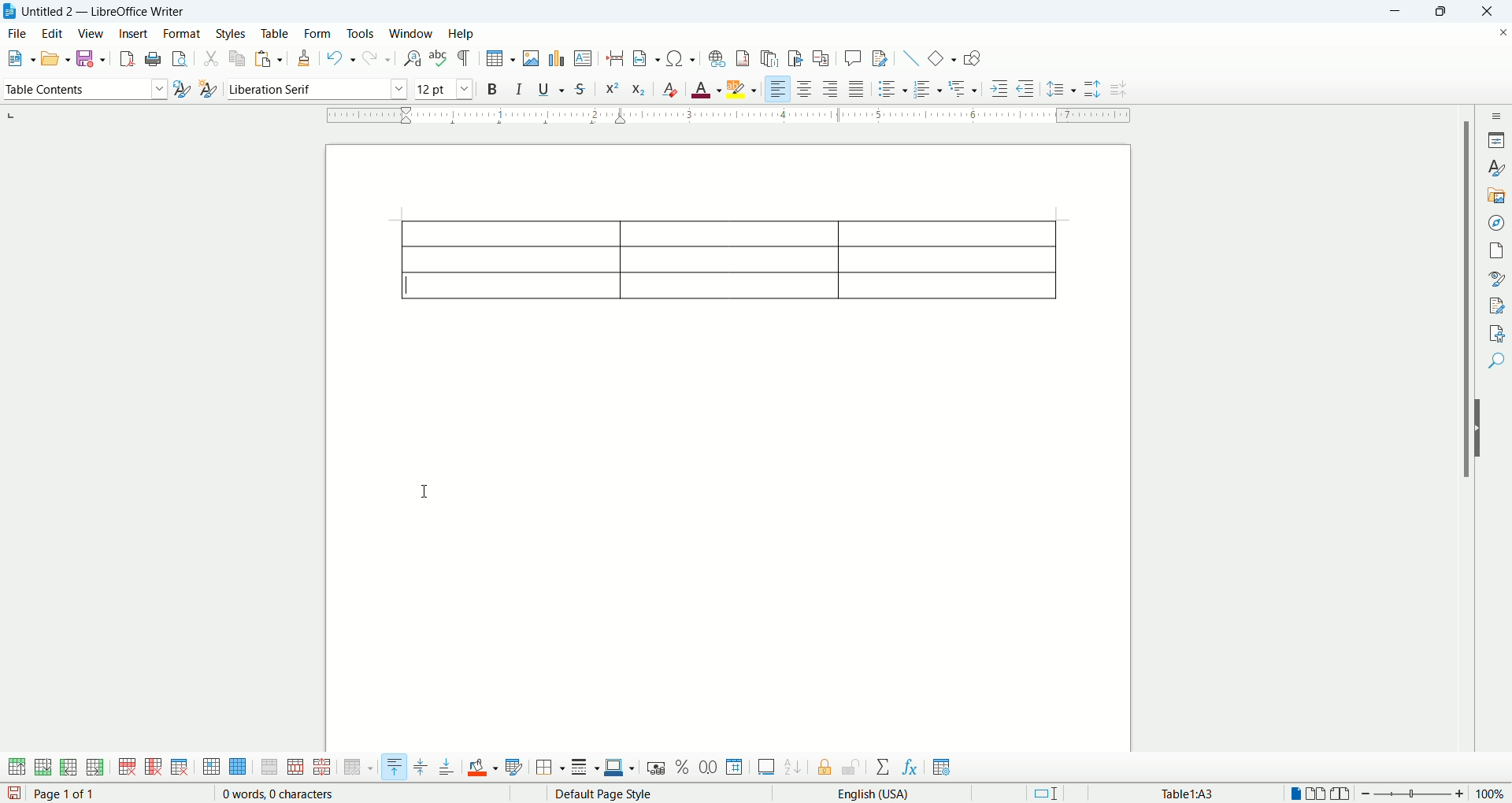 Image resolution: width=1512 pixels, height=803 pixels. What do you see at coordinates (152, 57) in the screenshot?
I see `print` at bounding box center [152, 57].